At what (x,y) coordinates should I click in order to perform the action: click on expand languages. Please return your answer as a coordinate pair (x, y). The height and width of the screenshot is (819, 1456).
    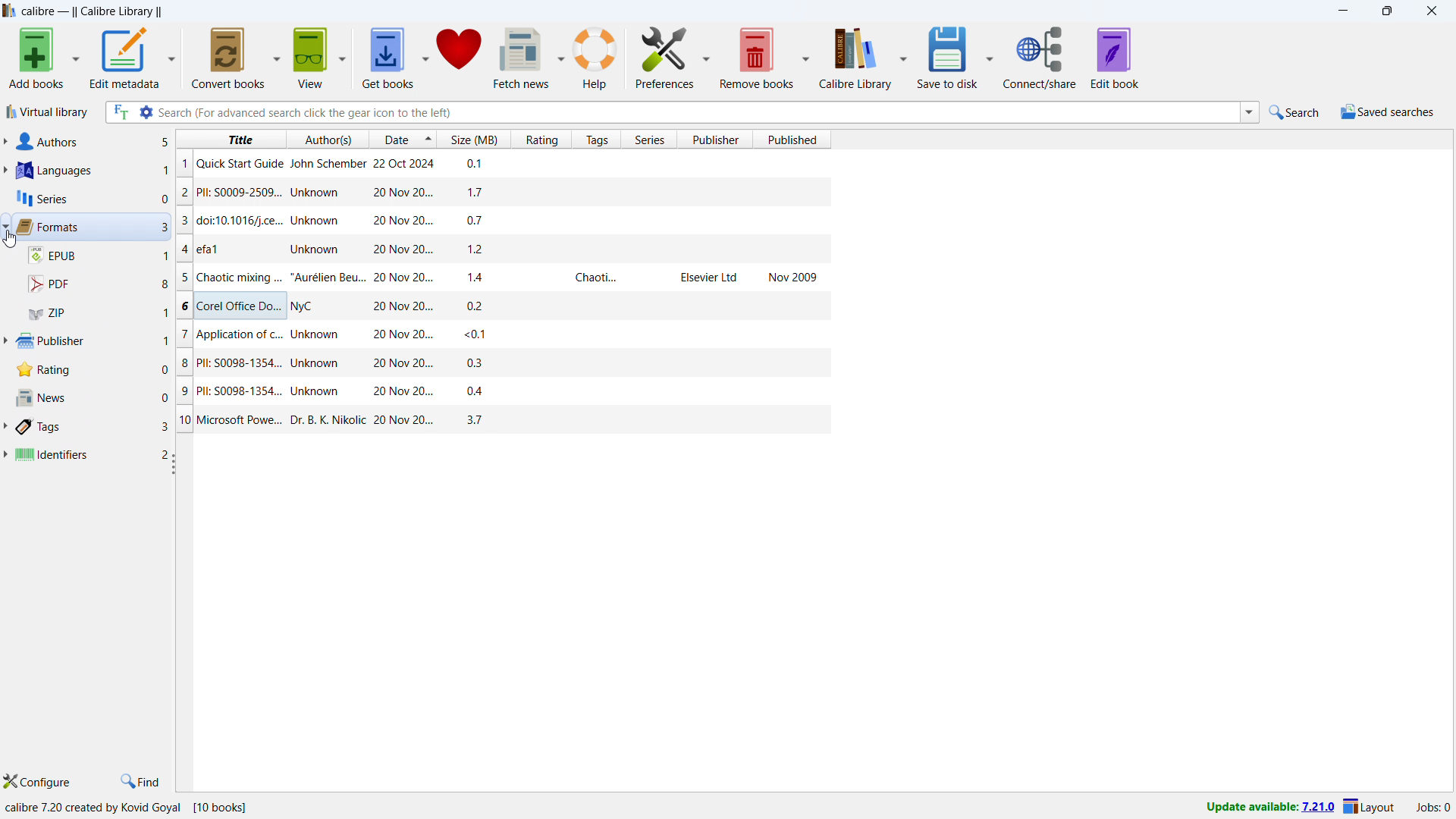
    Looking at the image, I should click on (5, 171).